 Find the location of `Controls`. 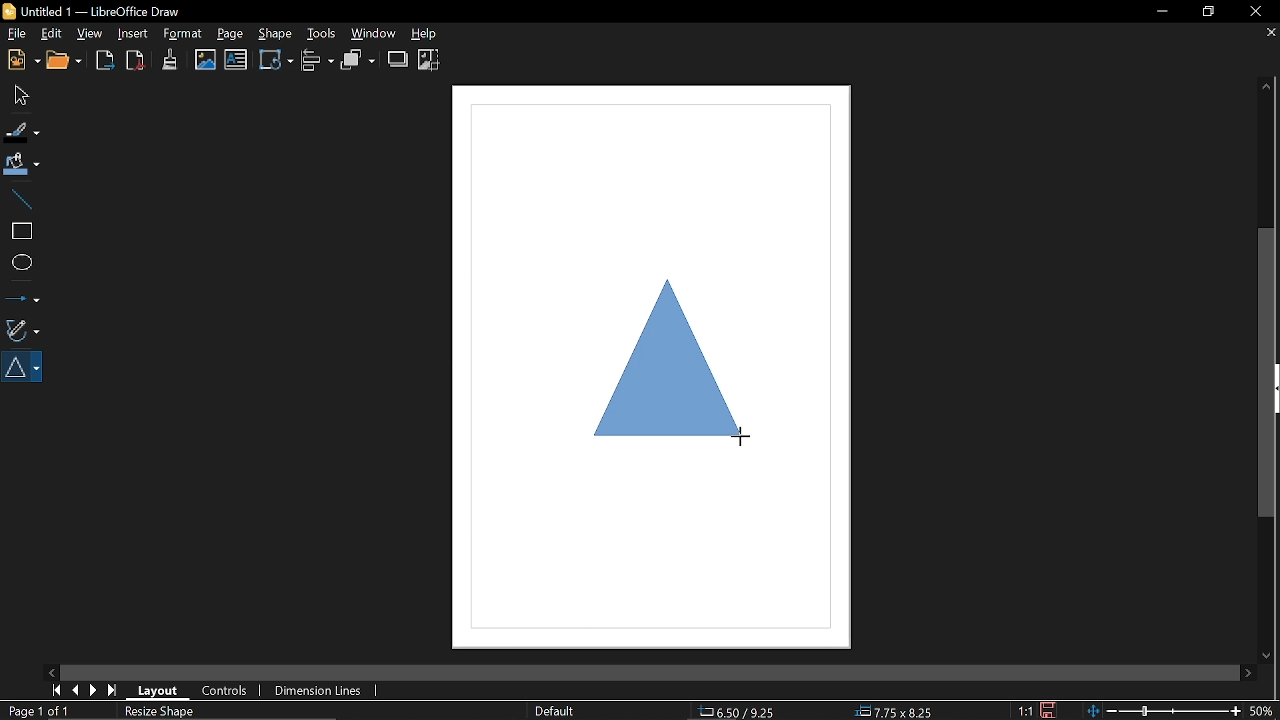

Controls is located at coordinates (225, 692).